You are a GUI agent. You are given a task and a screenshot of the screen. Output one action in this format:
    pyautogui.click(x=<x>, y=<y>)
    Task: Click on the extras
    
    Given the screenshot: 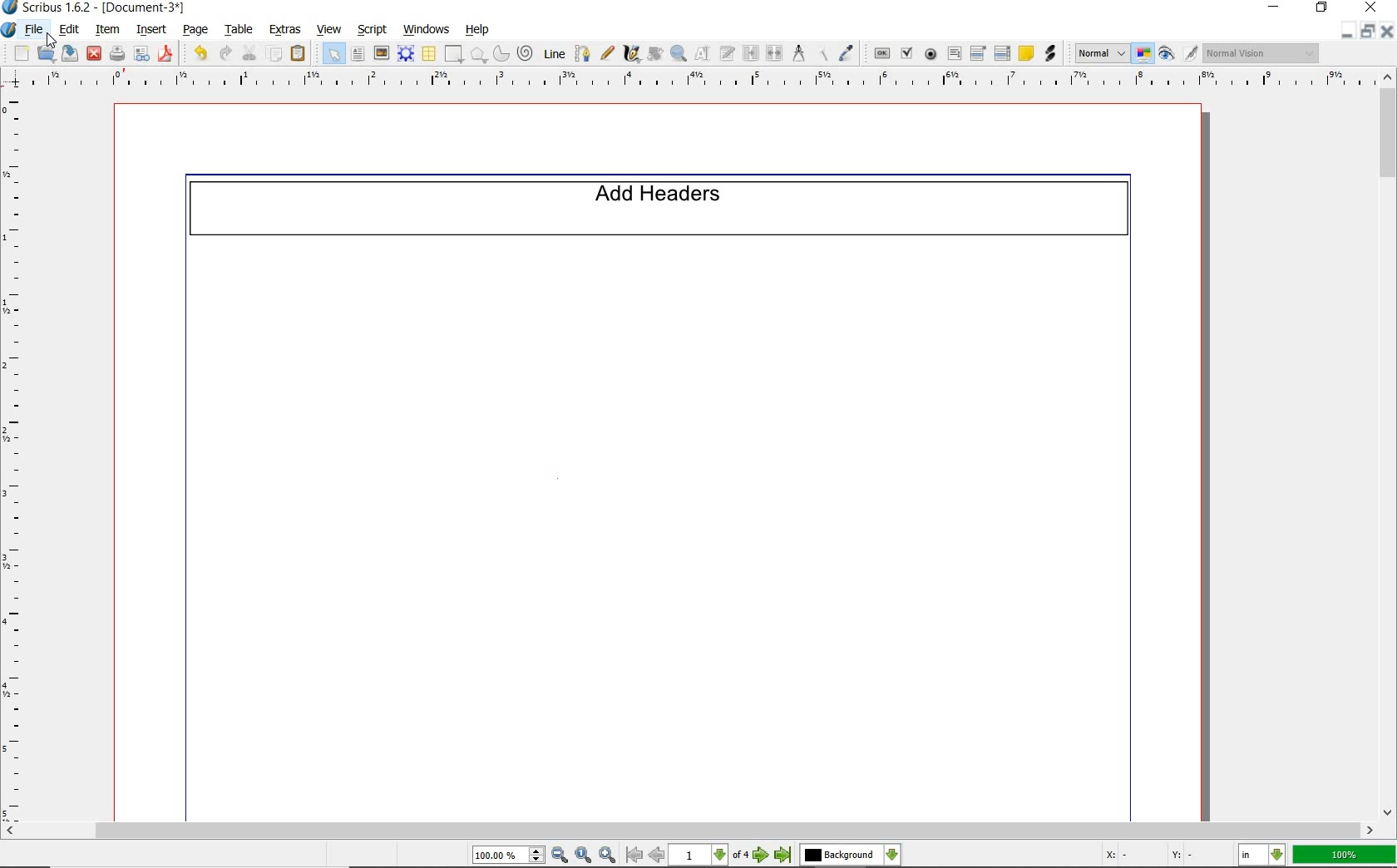 What is the action you would take?
    pyautogui.click(x=287, y=28)
    